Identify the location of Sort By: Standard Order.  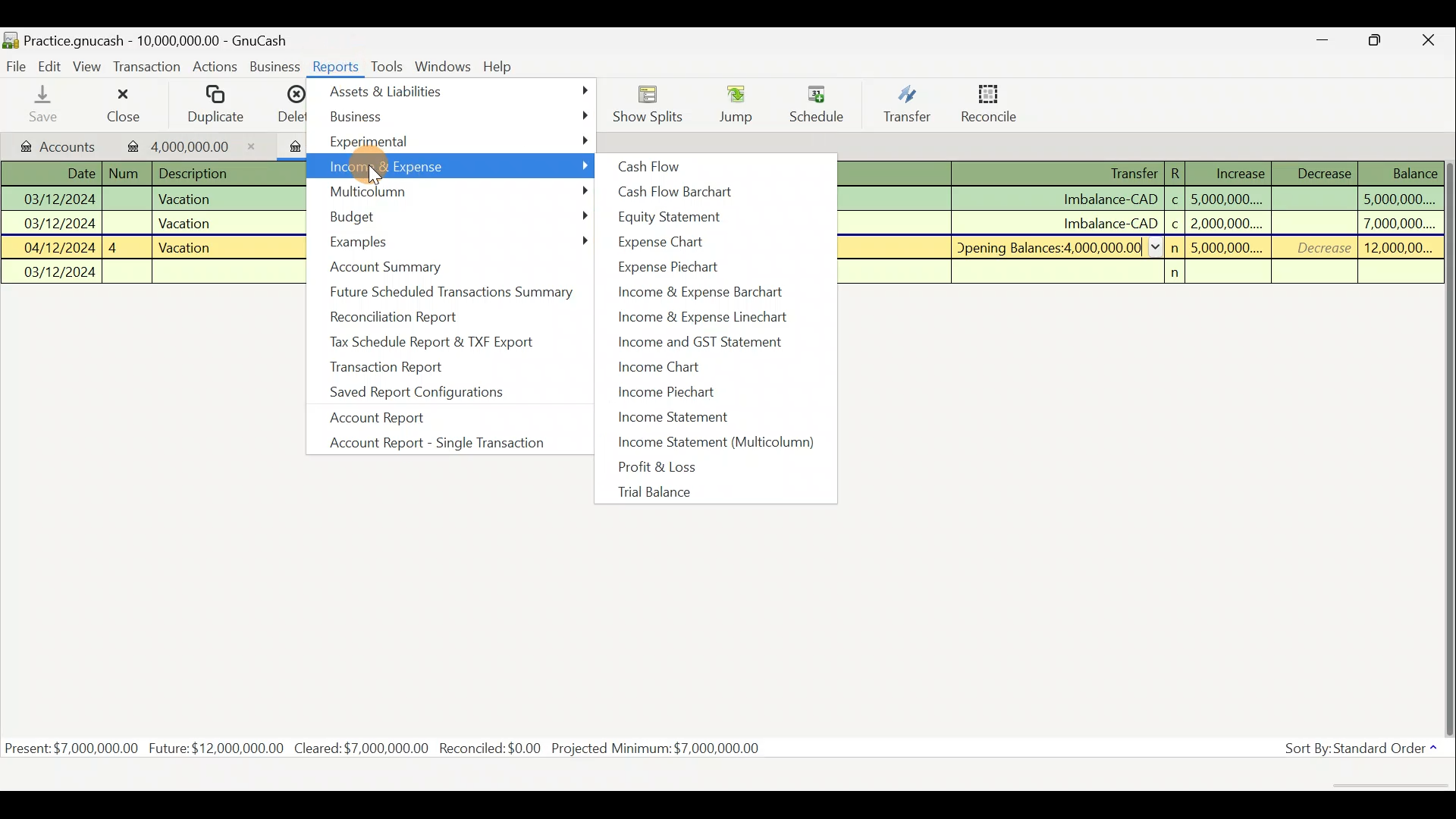
(1355, 748).